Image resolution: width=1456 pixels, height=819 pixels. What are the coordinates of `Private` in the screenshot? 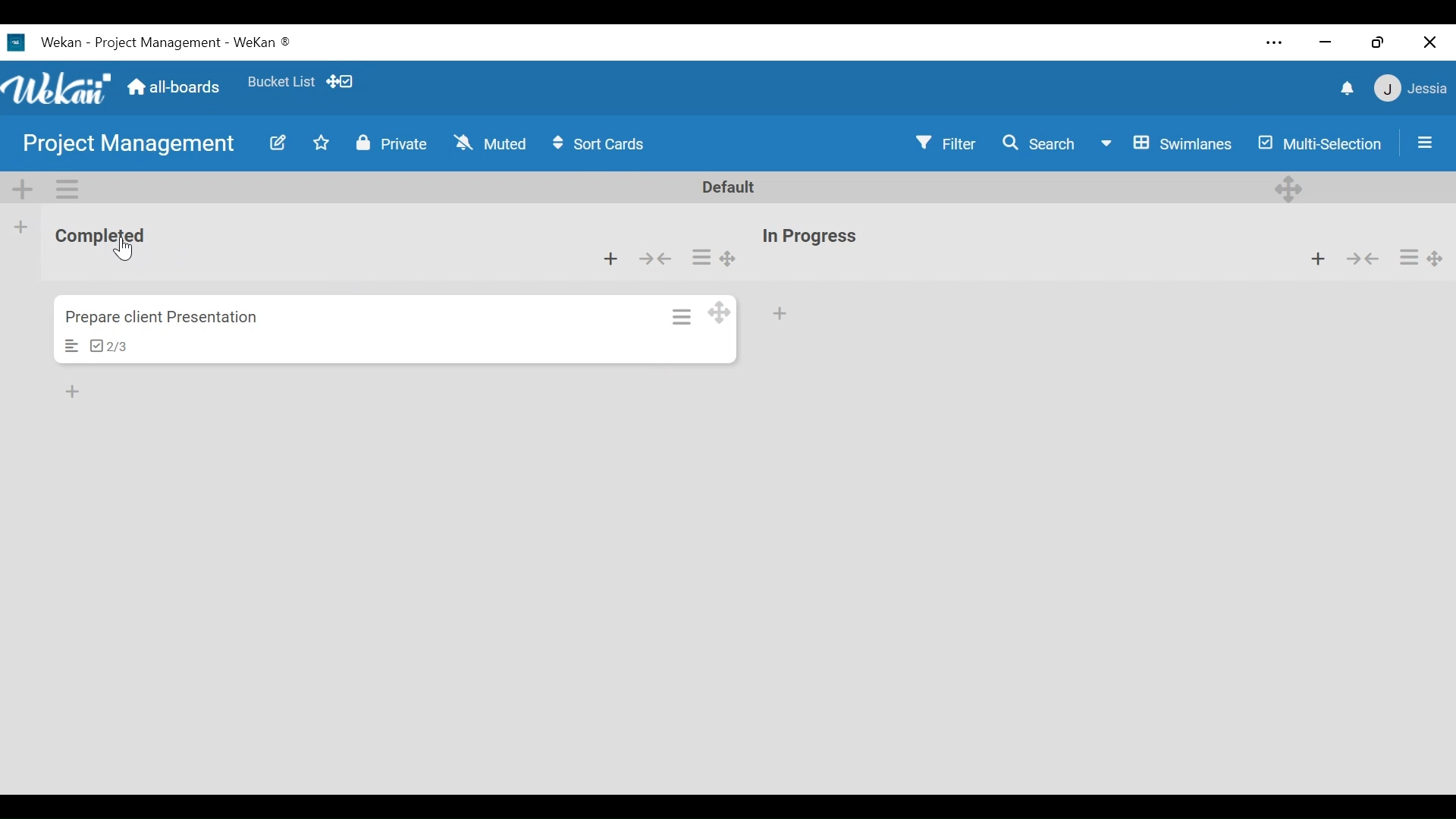 It's located at (392, 144).